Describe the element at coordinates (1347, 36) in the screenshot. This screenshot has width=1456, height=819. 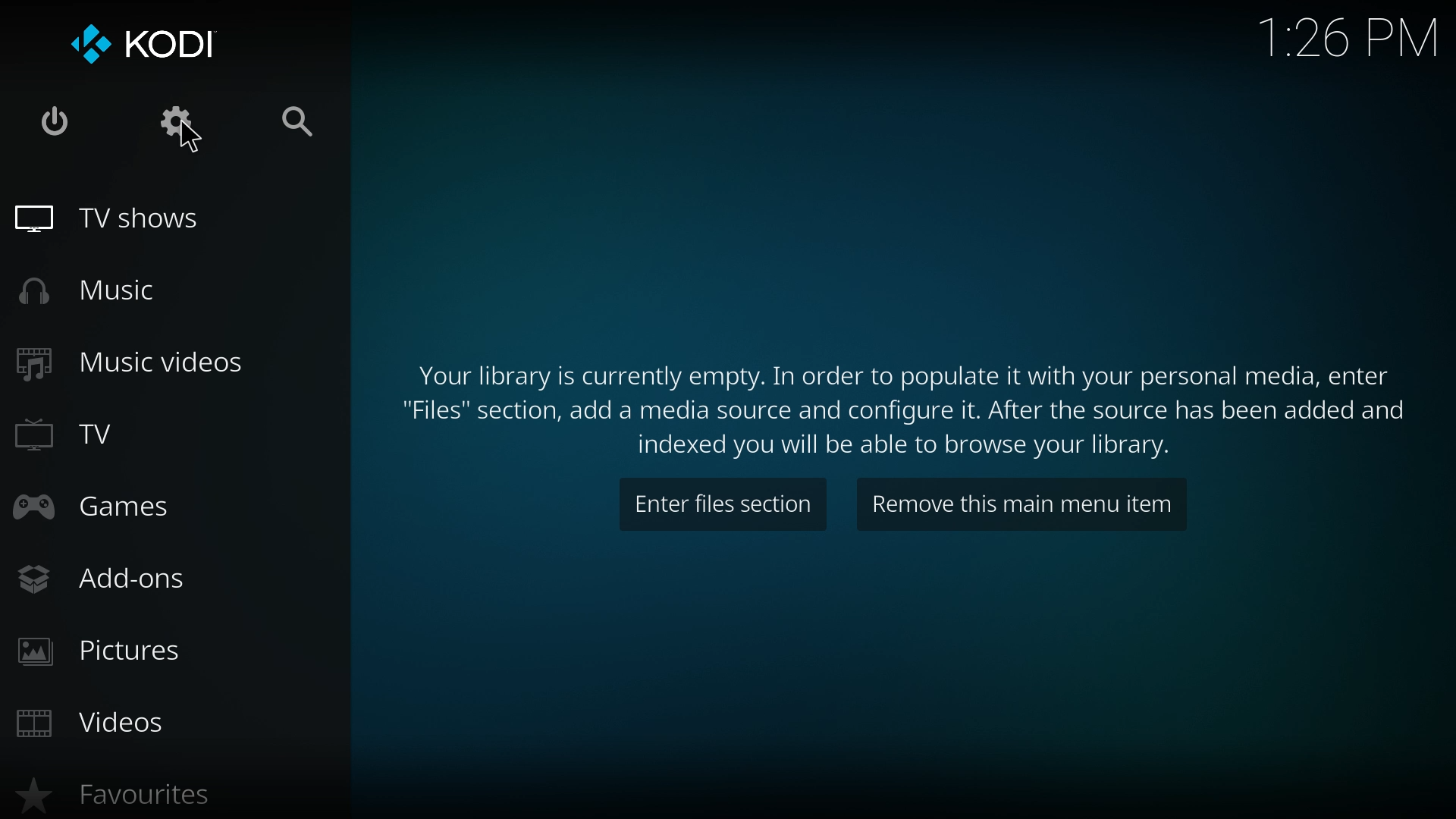
I see `time` at that location.